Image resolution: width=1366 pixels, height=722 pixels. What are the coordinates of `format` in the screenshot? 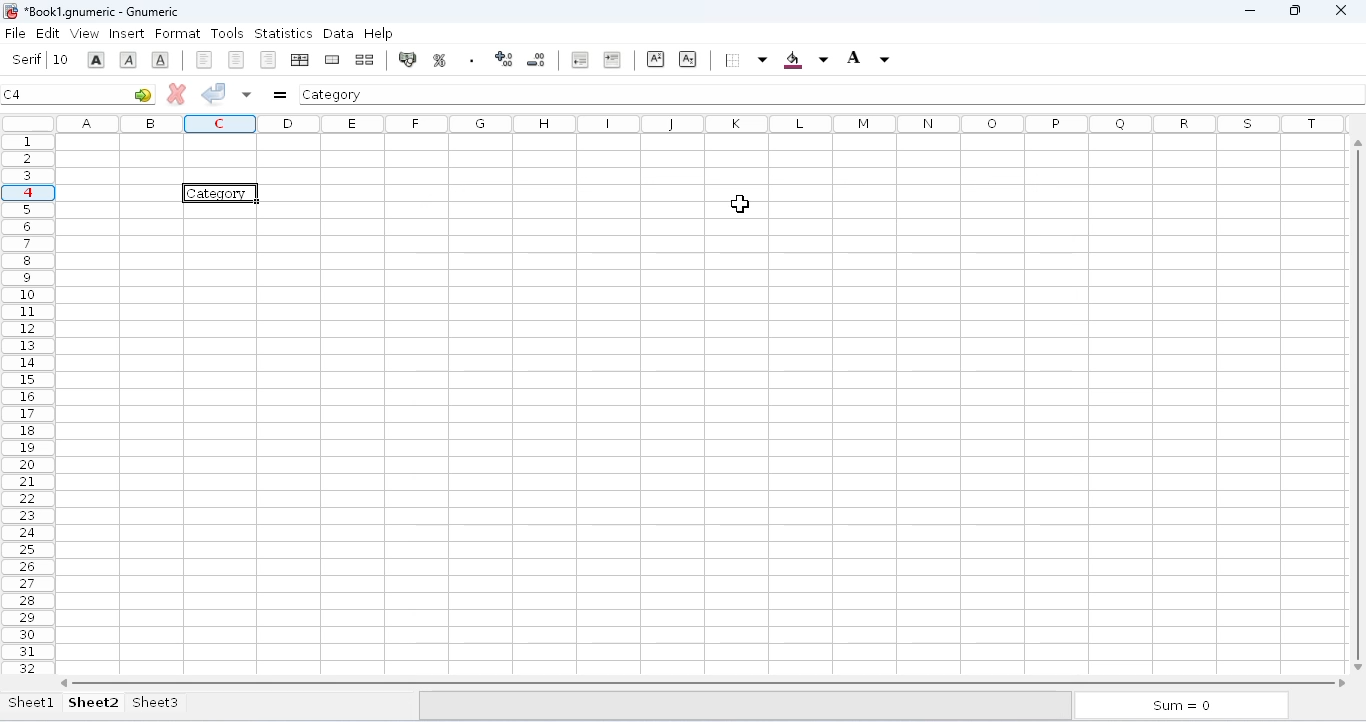 It's located at (178, 34).